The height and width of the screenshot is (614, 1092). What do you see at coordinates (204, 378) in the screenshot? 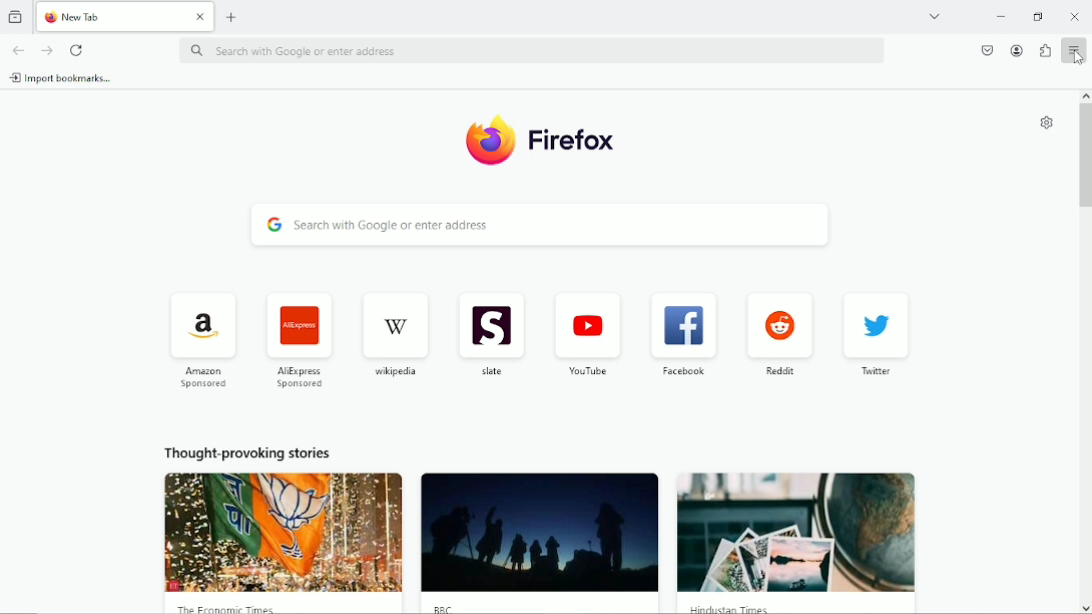
I see `amazon` at bounding box center [204, 378].